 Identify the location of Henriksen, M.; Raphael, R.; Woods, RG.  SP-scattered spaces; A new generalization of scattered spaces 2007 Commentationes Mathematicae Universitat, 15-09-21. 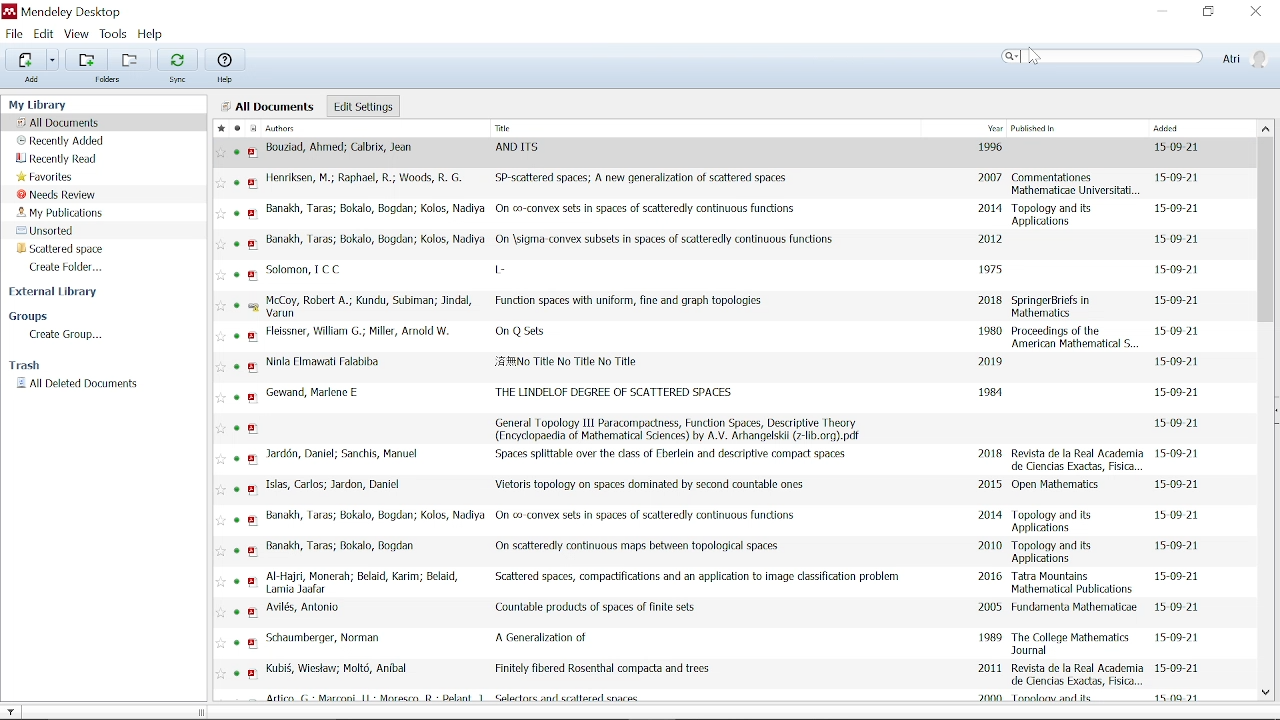
(728, 183).